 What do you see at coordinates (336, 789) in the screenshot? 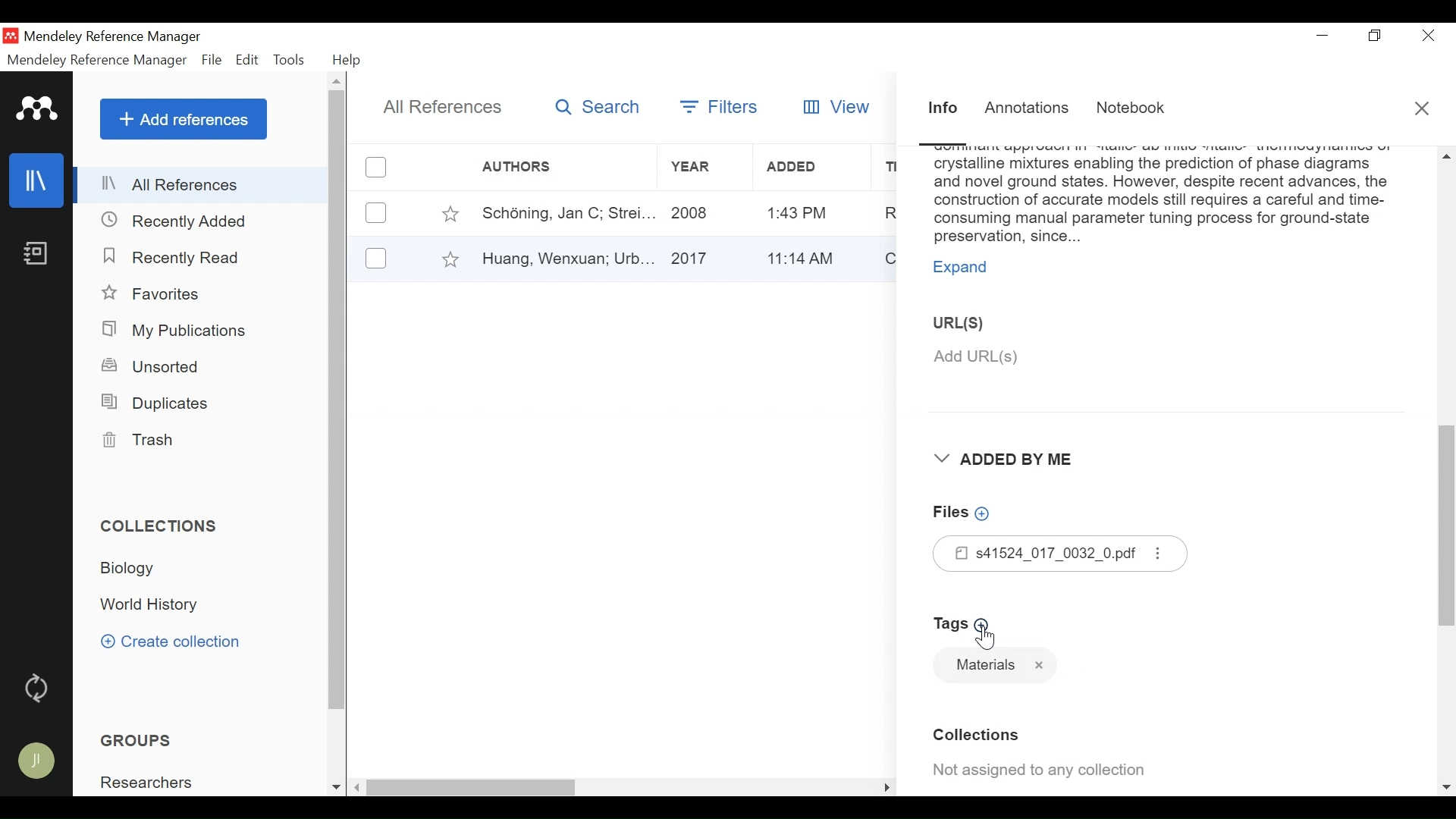
I see `Scroll down` at bounding box center [336, 789].